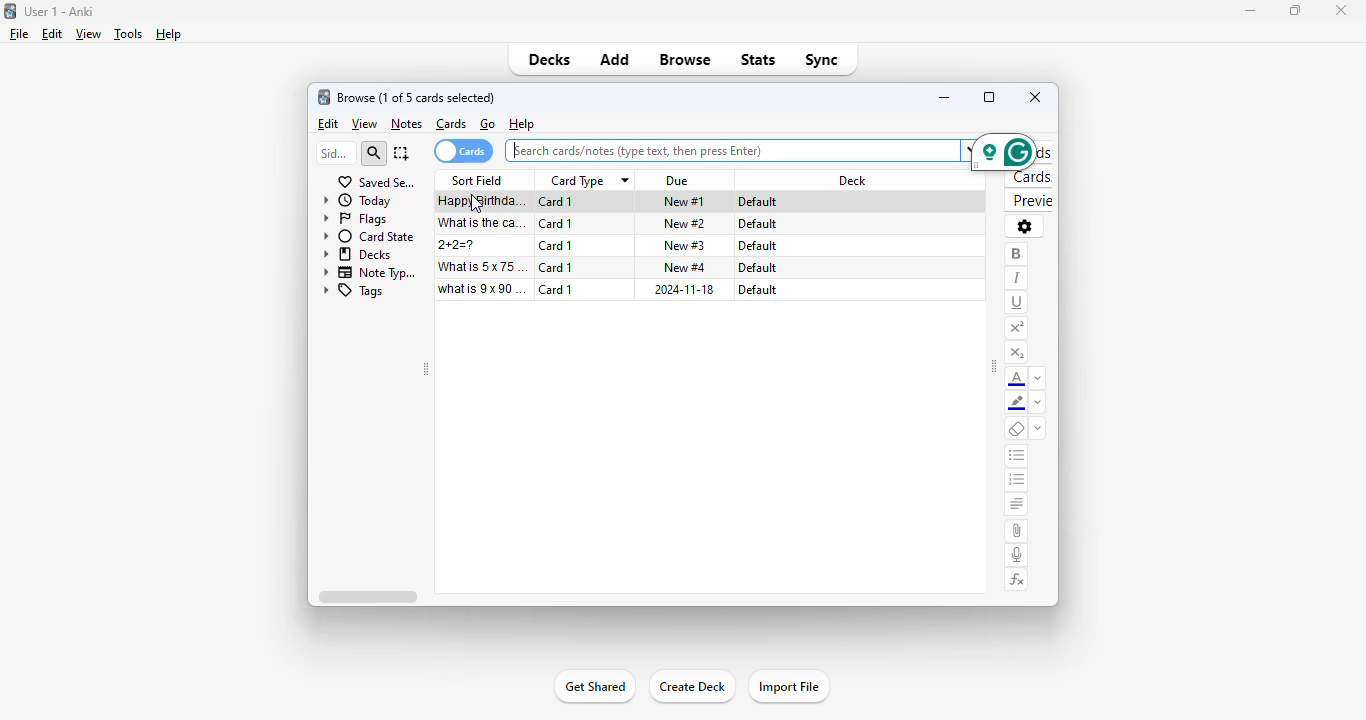  Describe the element at coordinates (1016, 303) in the screenshot. I see `underline` at that location.